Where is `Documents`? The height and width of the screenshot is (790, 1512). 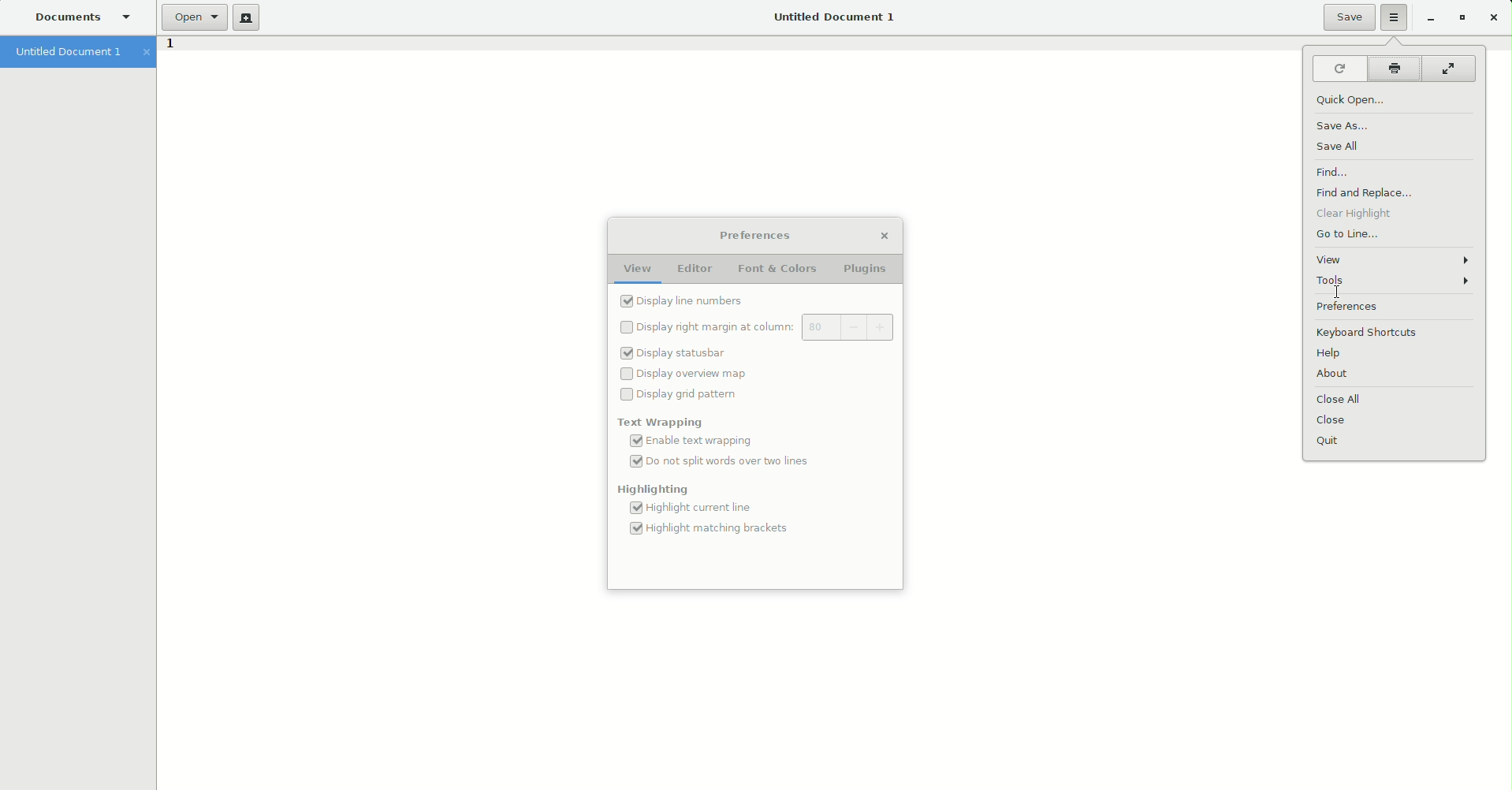
Documents is located at coordinates (84, 17).